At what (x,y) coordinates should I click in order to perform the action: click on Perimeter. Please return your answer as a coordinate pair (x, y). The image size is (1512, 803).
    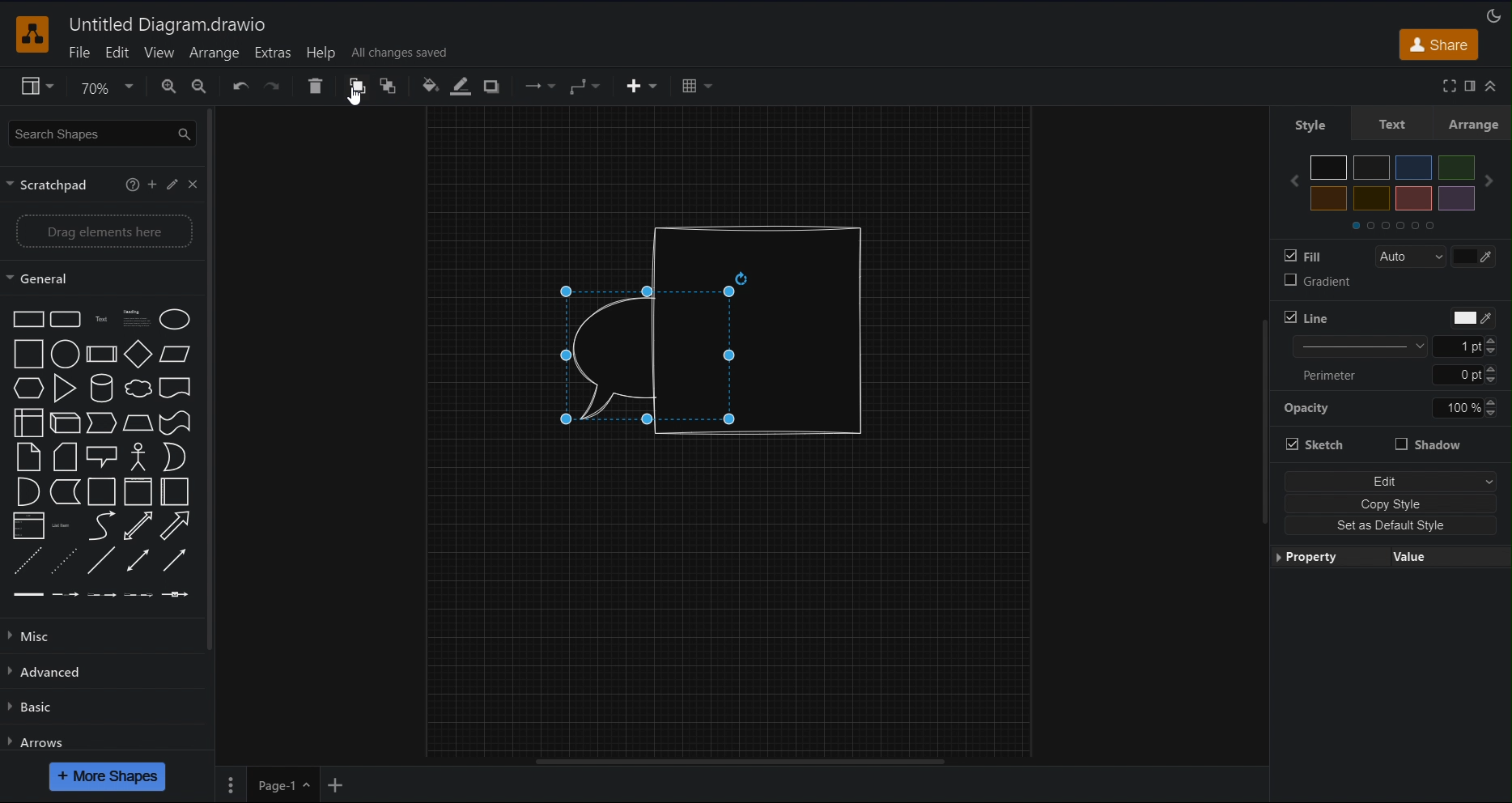
    Looking at the image, I should click on (1329, 376).